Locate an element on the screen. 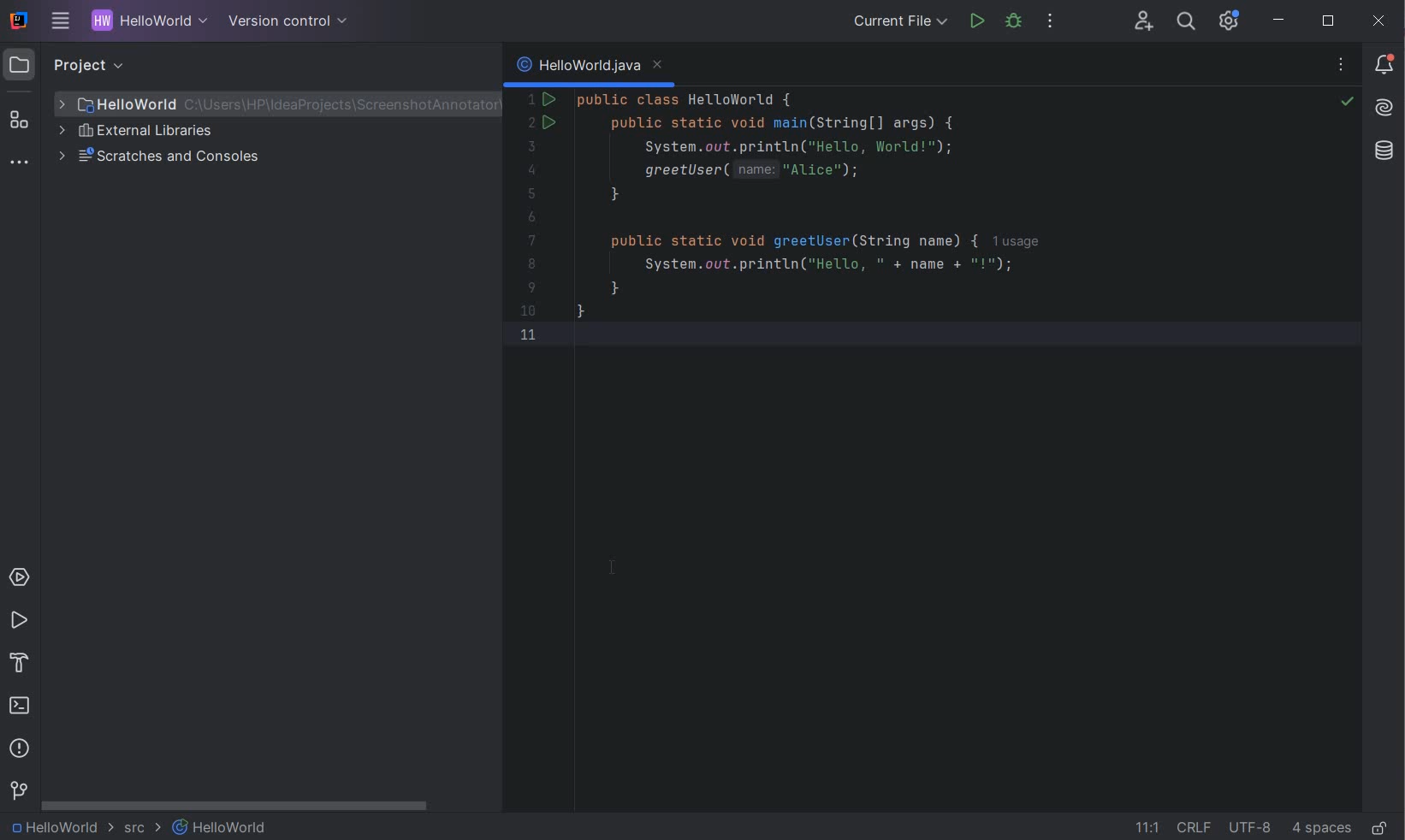 The image size is (1405, 840). minimize is located at coordinates (1280, 21).